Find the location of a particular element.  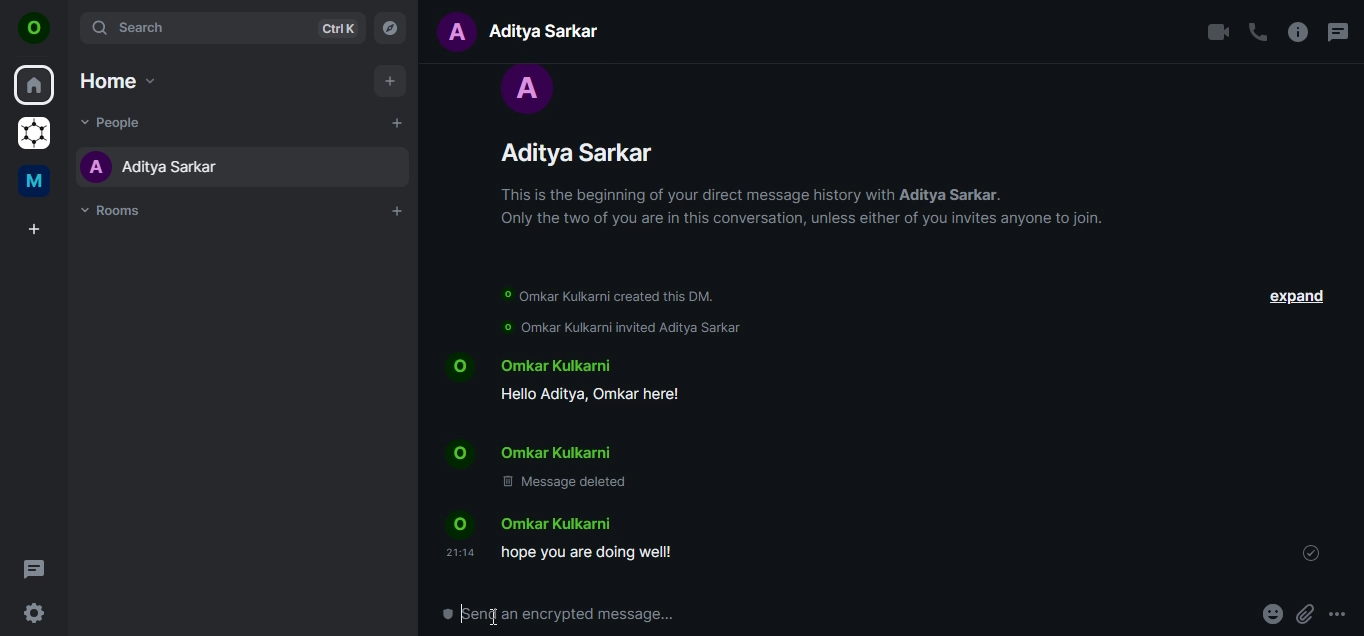

home is located at coordinates (35, 83).